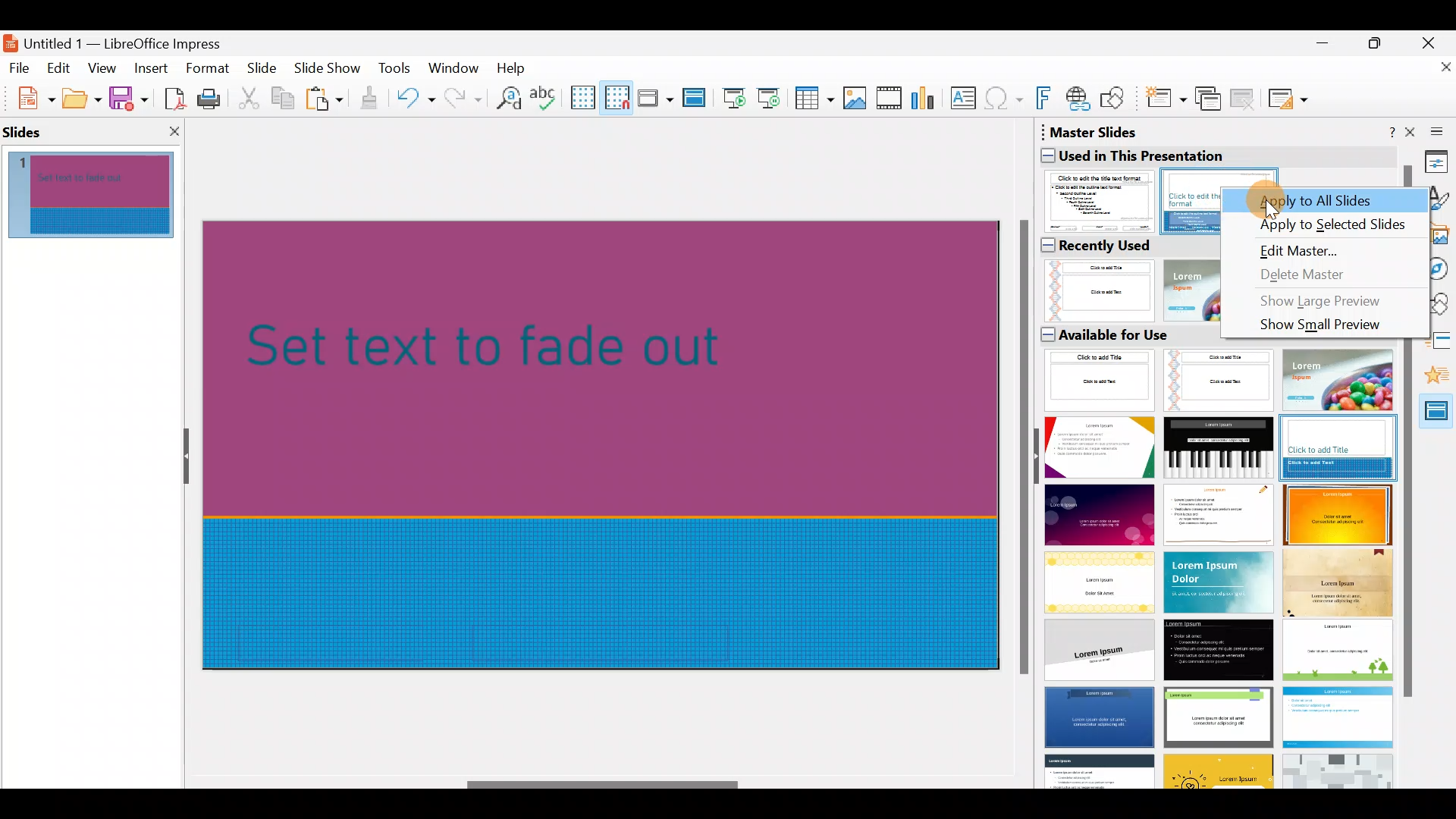 This screenshot has width=1456, height=819. What do you see at coordinates (604, 785) in the screenshot?
I see `Scroll bar` at bounding box center [604, 785].